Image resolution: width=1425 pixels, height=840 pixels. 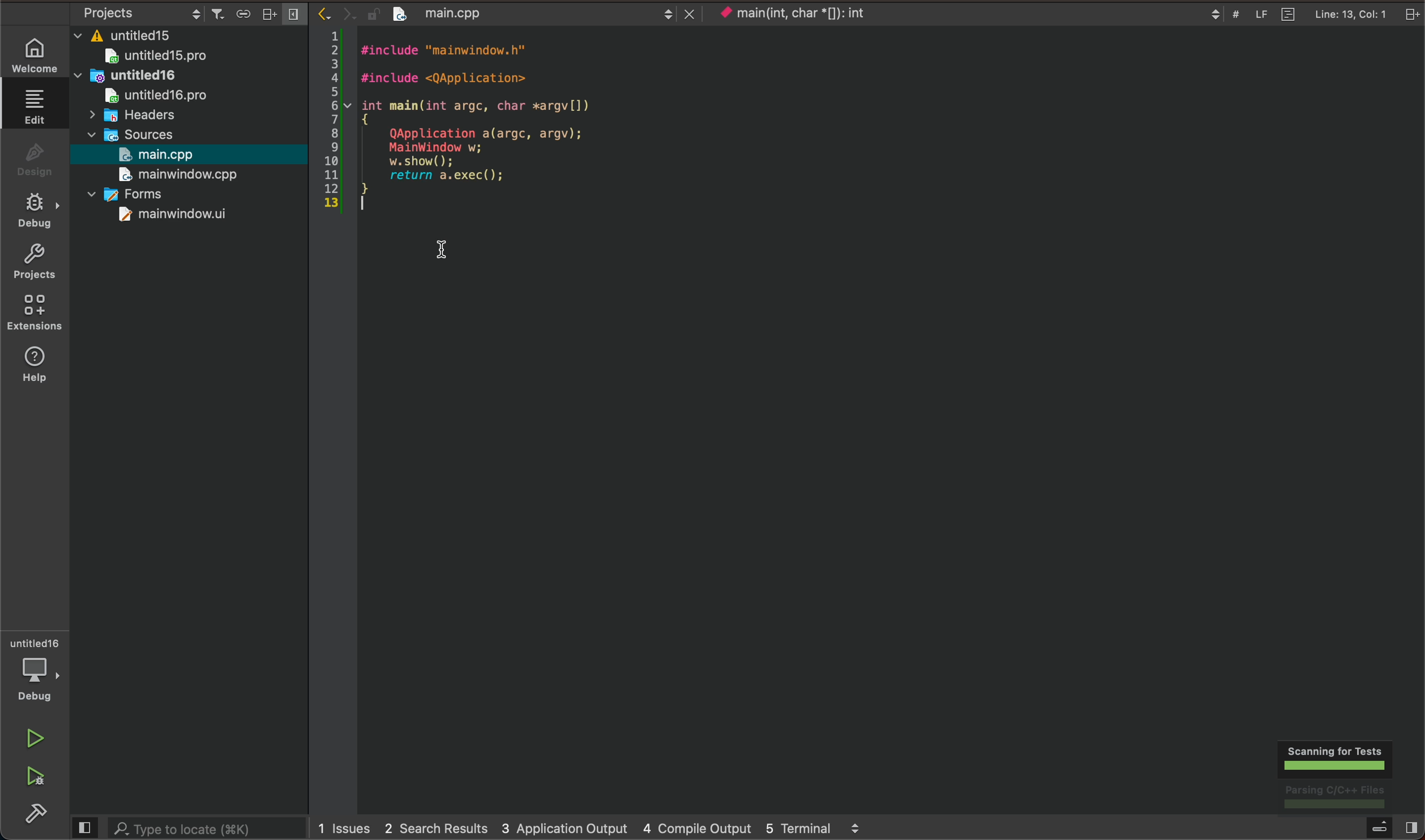 I want to click on sources, so click(x=134, y=135).